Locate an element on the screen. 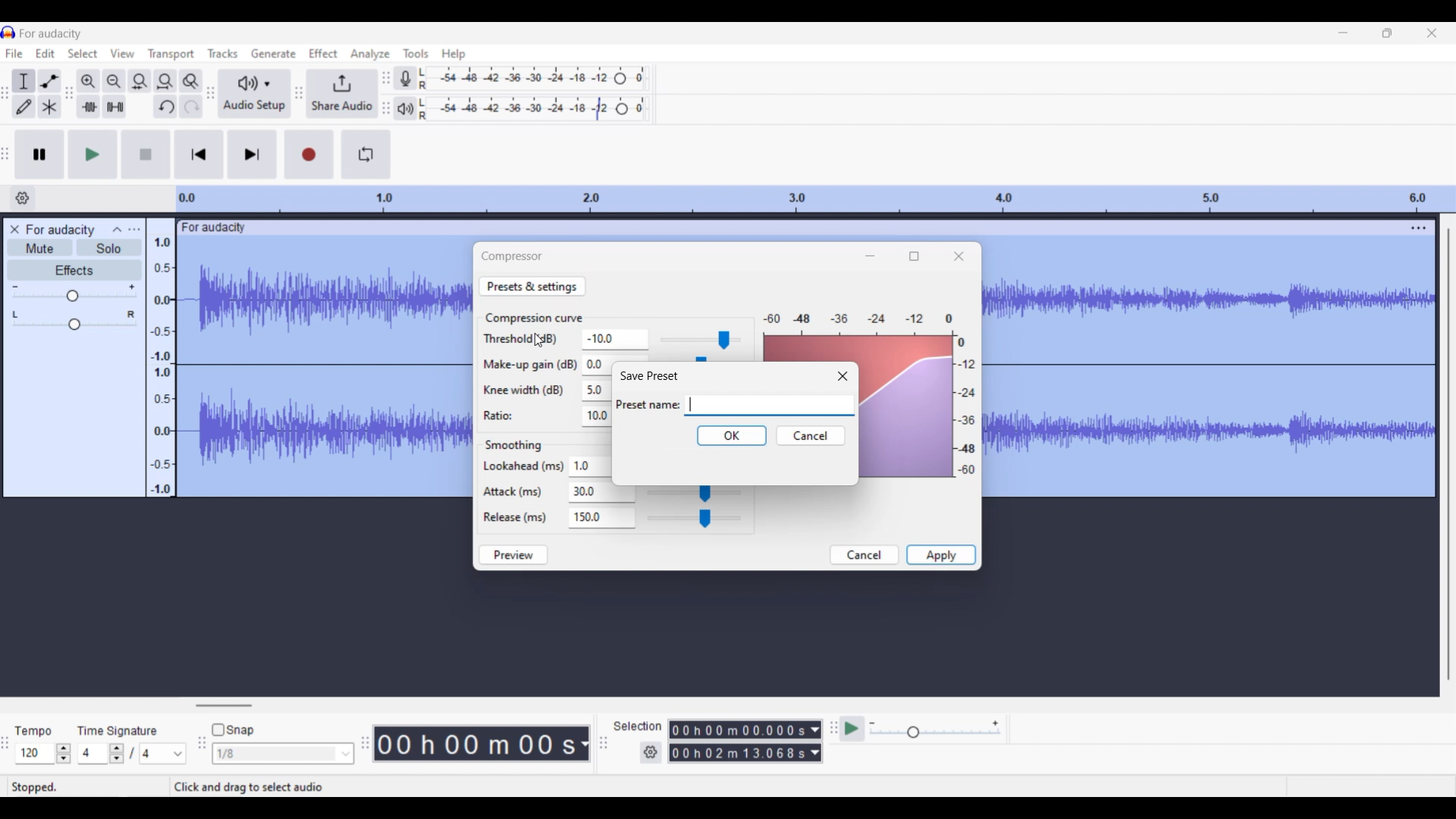  Tempo settings is located at coordinates (43, 753).